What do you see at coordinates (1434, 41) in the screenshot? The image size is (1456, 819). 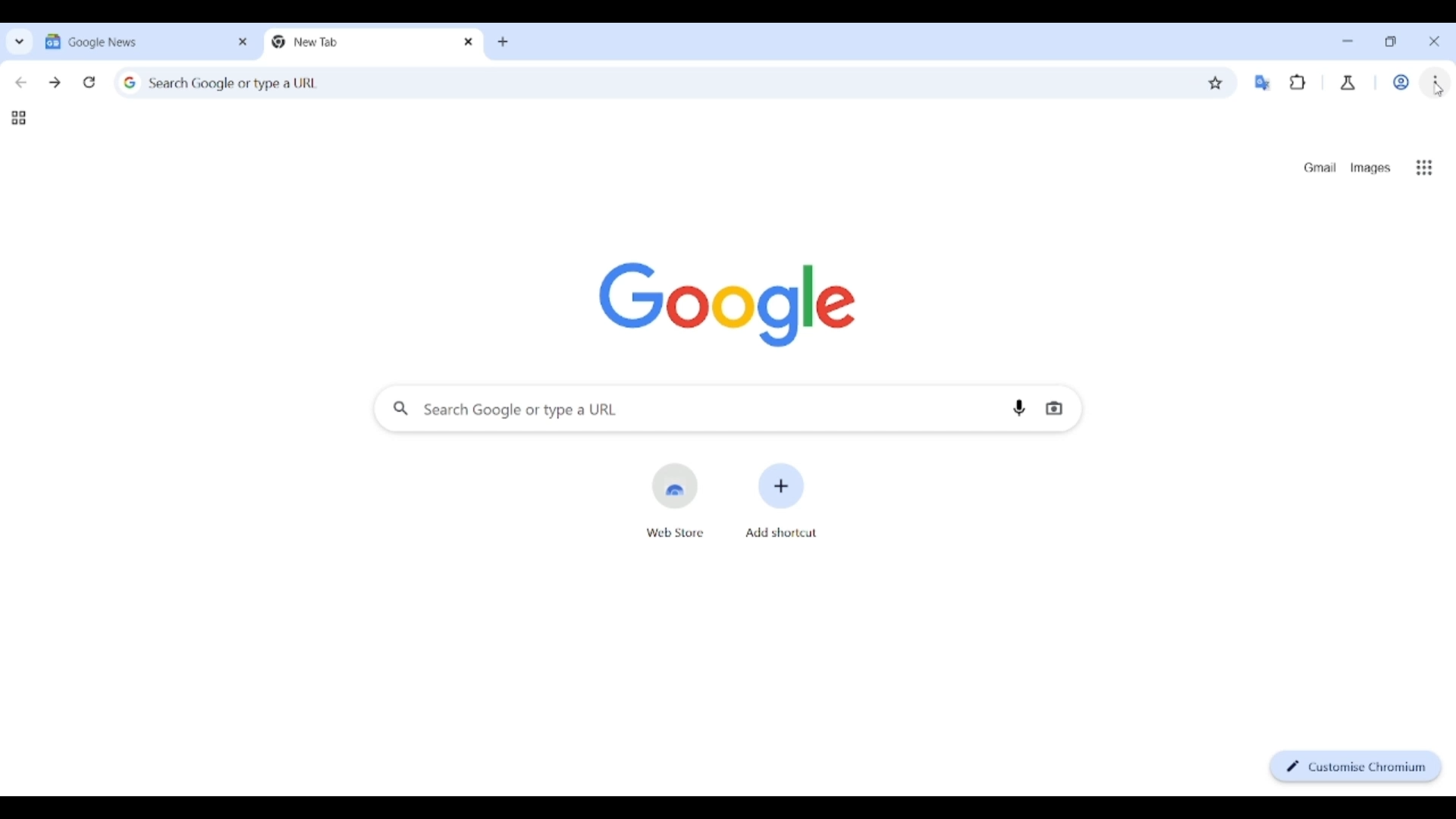 I see `Close interface` at bounding box center [1434, 41].